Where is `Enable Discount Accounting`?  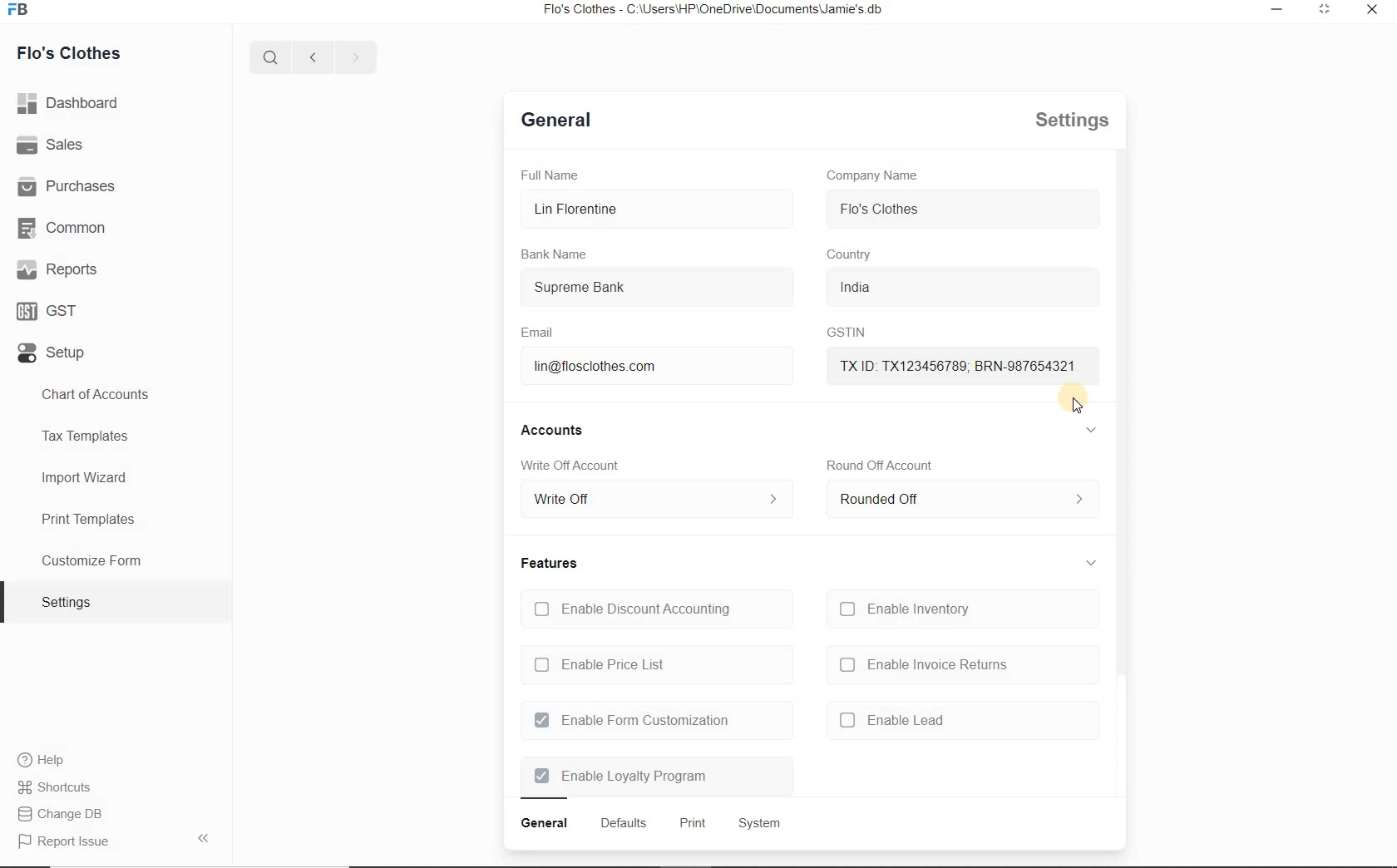 Enable Discount Accounting is located at coordinates (631, 609).